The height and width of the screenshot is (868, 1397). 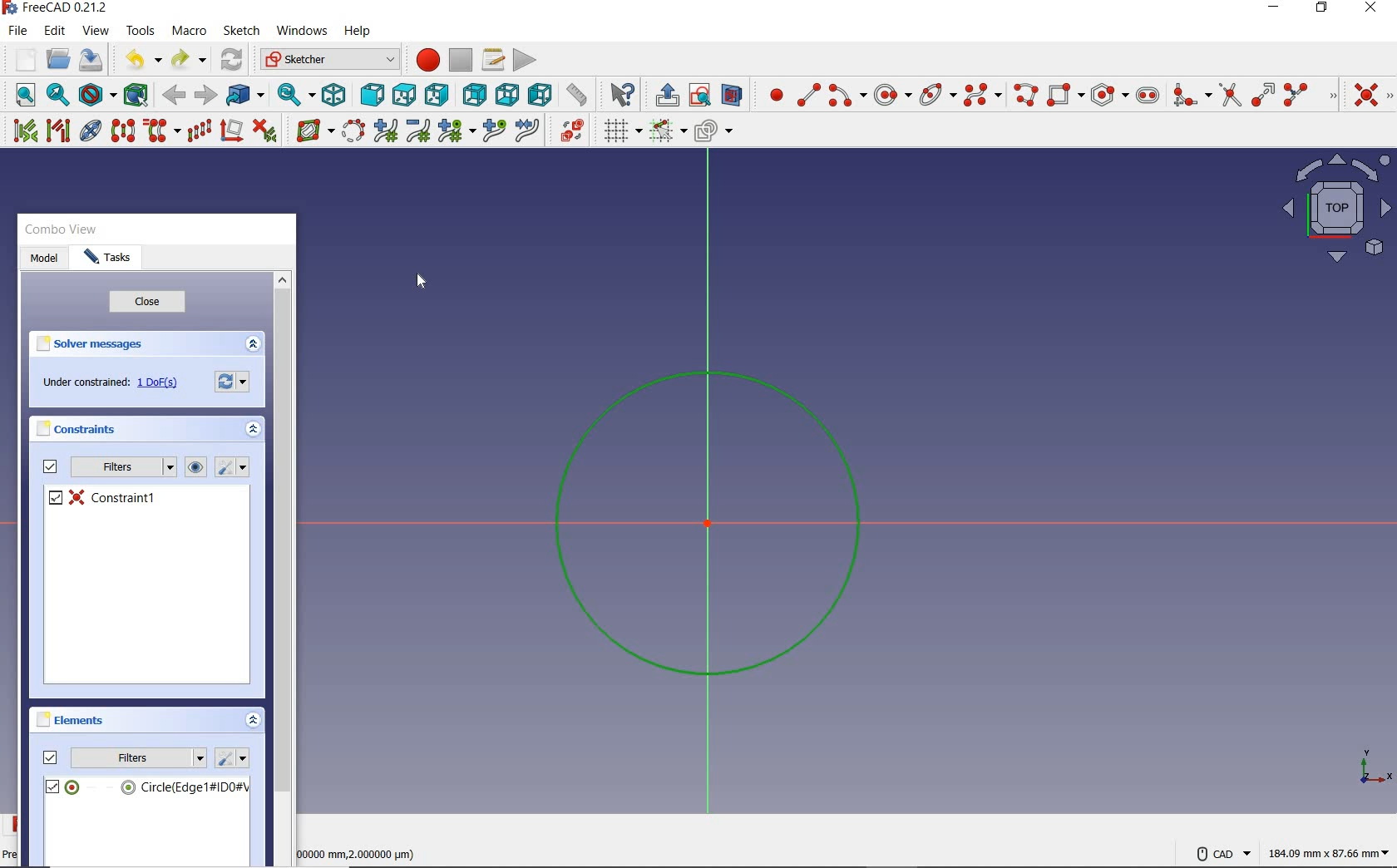 What do you see at coordinates (231, 131) in the screenshot?
I see `remove axes alignment` at bounding box center [231, 131].